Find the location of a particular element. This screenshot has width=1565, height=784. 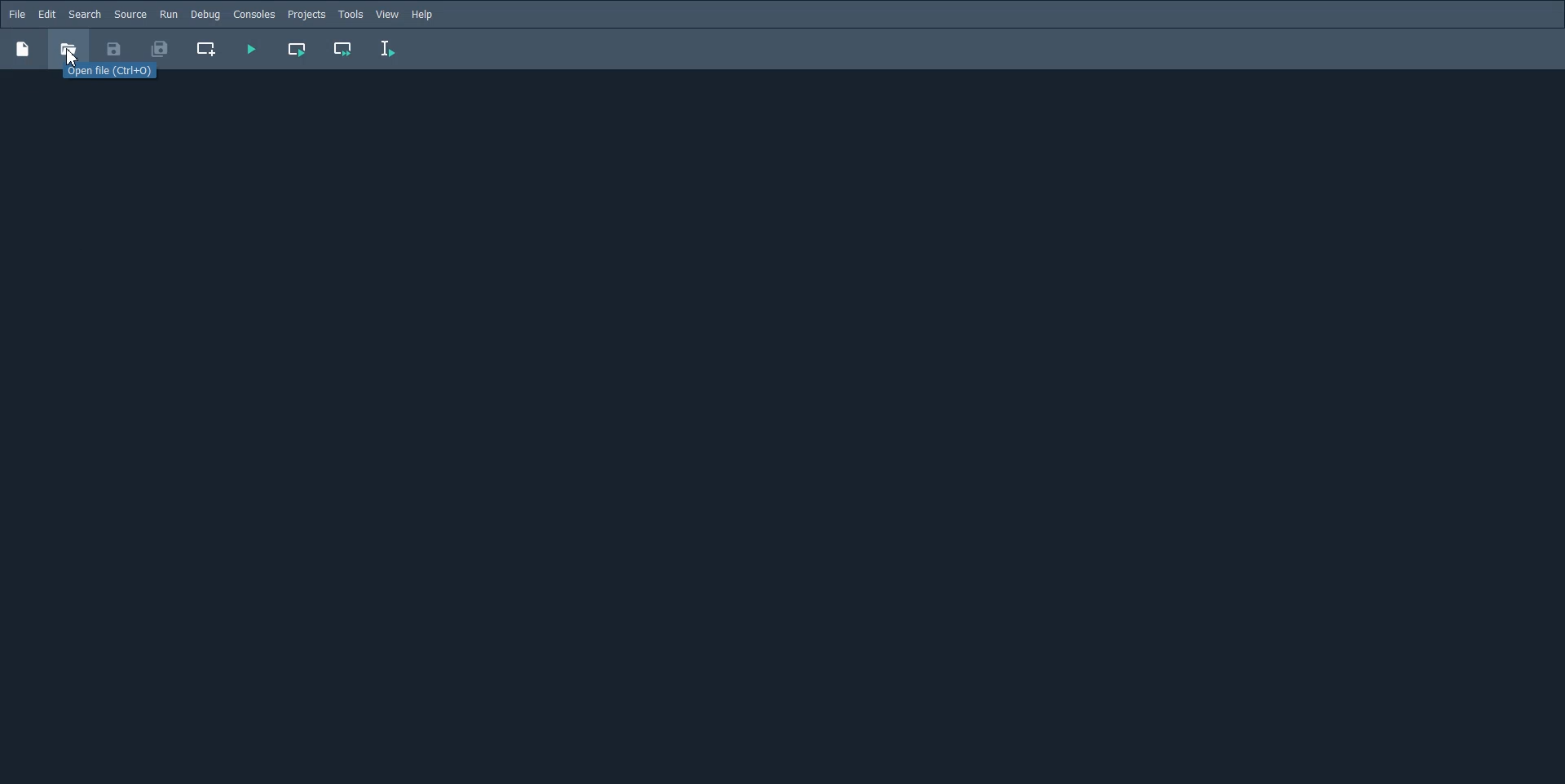

Run Selection is located at coordinates (388, 49).